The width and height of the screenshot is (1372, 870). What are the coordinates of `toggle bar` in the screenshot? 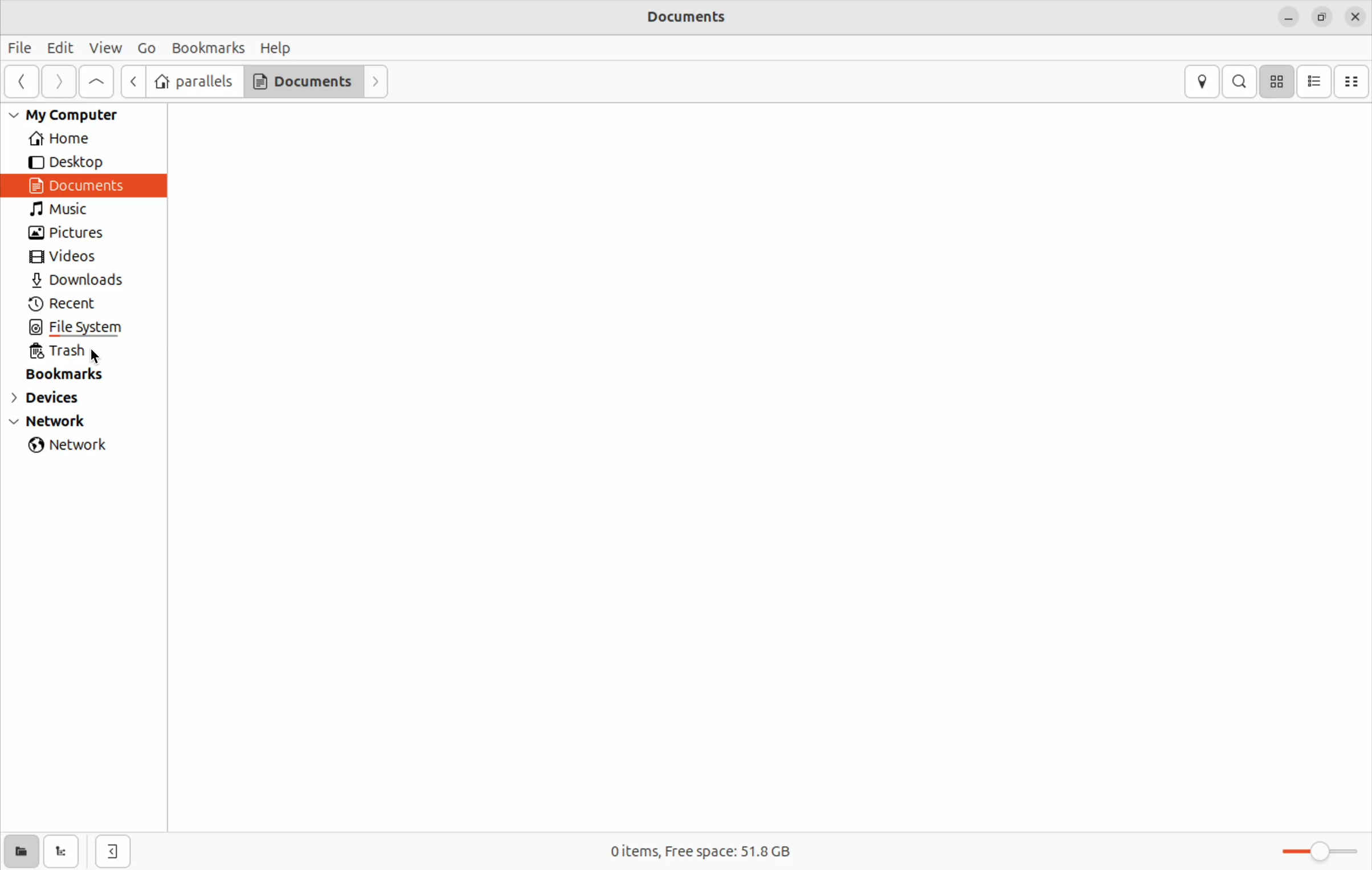 It's located at (1313, 851).